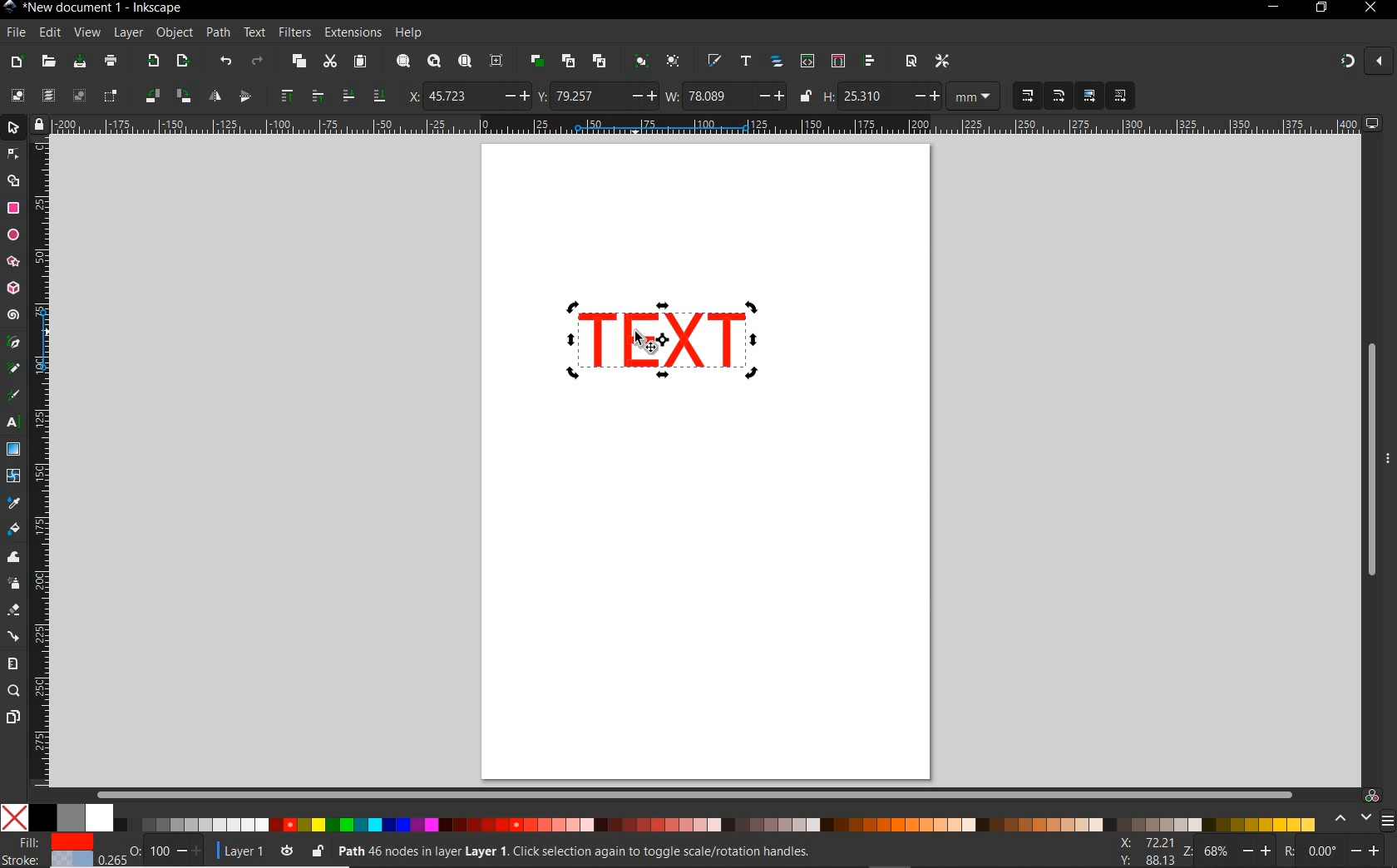 The image size is (1397, 868). What do you see at coordinates (13, 449) in the screenshot?
I see `GRADIENT TOOL` at bounding box center [13, 449].